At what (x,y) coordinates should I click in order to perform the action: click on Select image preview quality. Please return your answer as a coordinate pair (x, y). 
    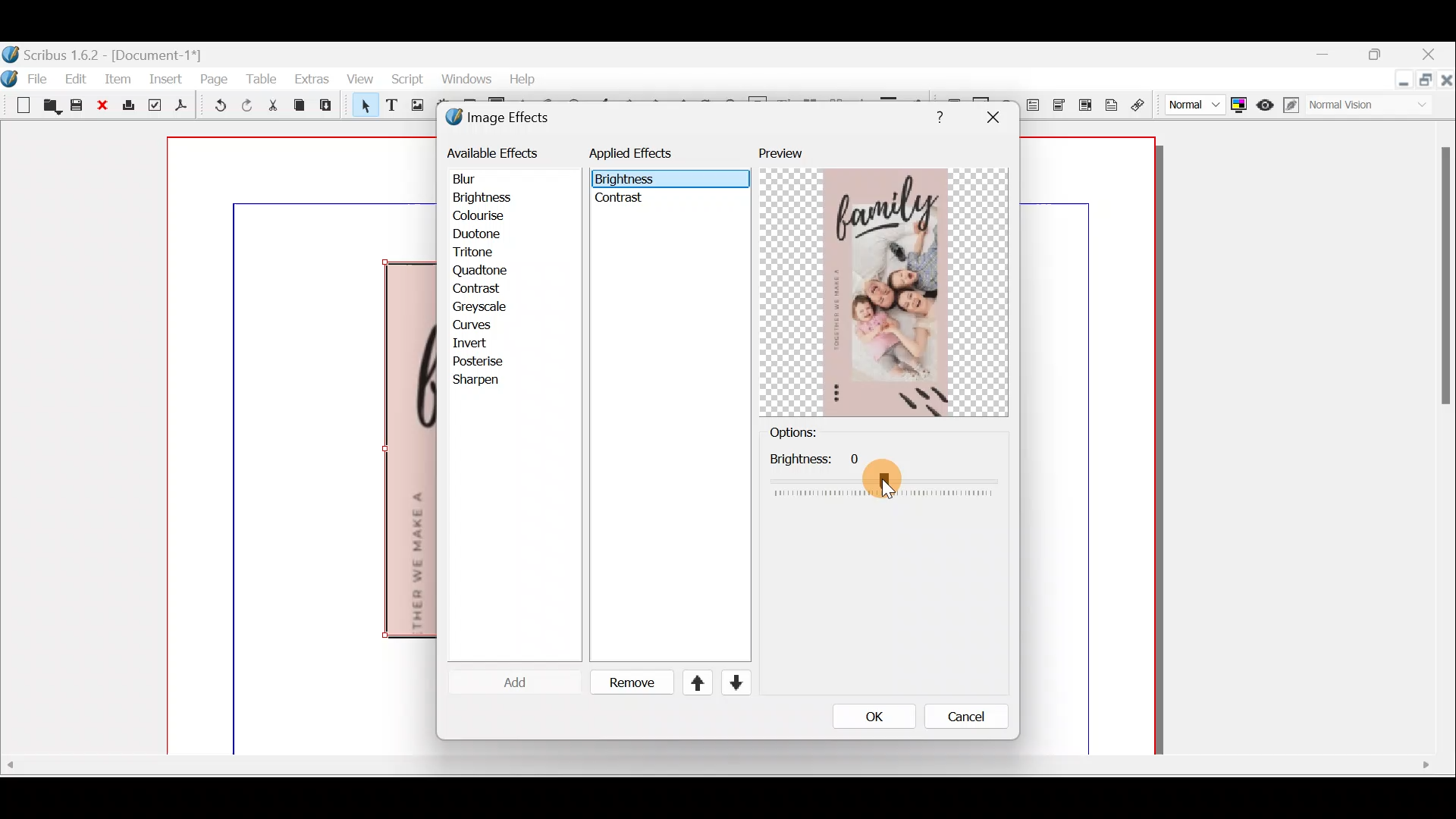
    Looking at the image, I should click on (1191, 102).